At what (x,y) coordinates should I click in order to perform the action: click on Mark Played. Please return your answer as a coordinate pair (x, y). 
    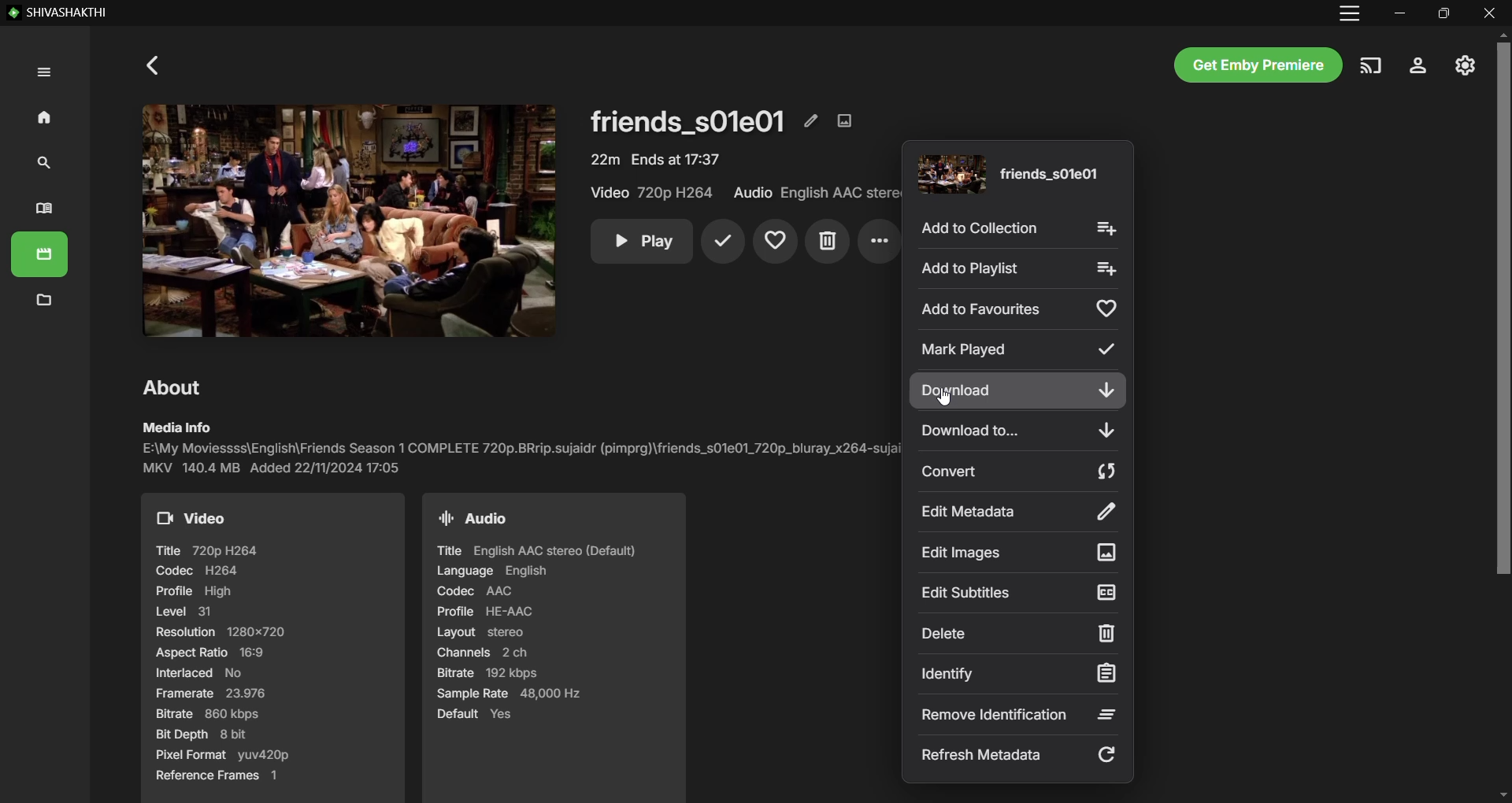
    Looking at the image, I should click on (722, 242).